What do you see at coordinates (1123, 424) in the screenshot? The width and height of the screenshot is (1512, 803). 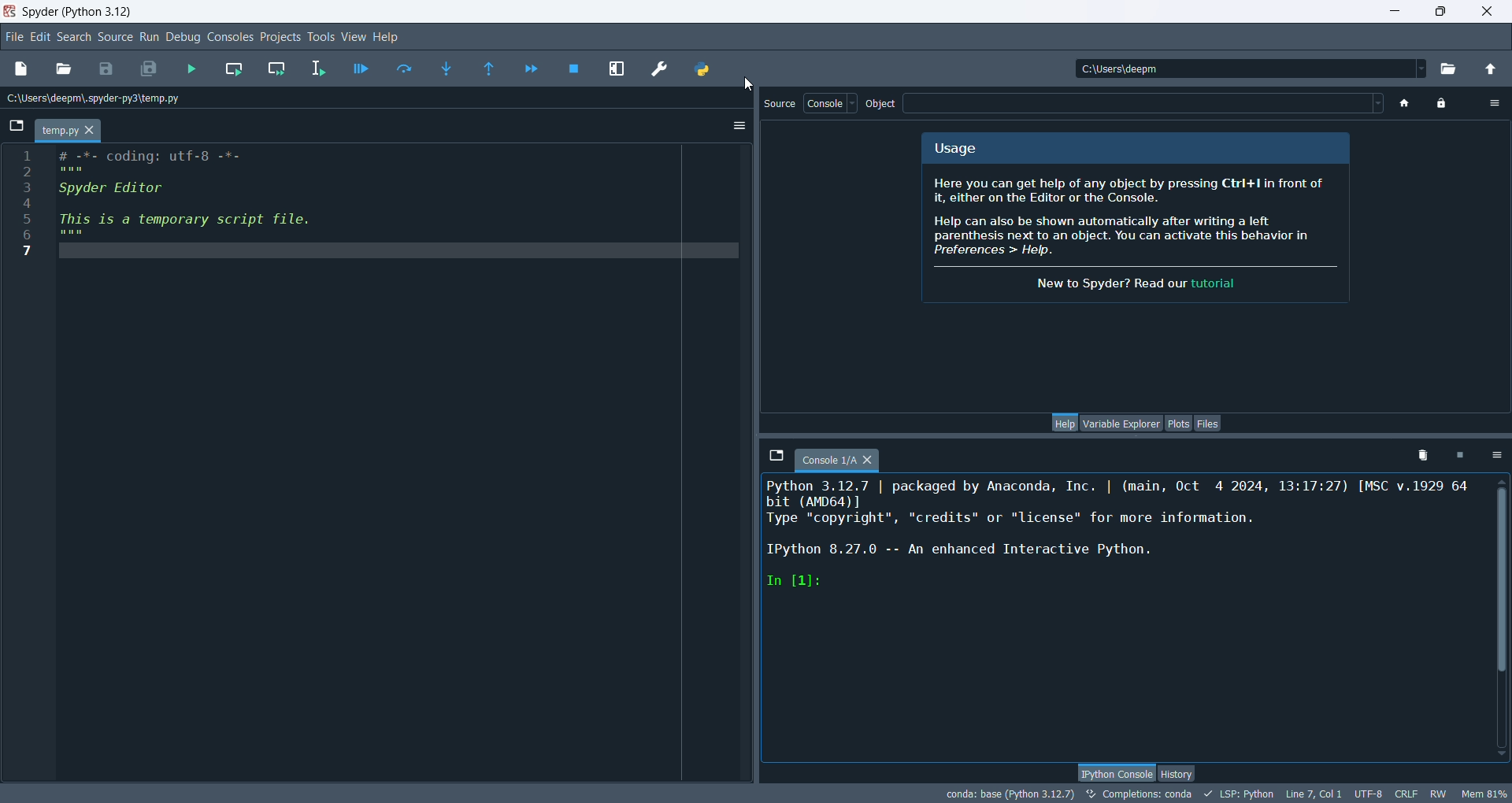 I see `variable explorer` at bounding box center [1123, 424].